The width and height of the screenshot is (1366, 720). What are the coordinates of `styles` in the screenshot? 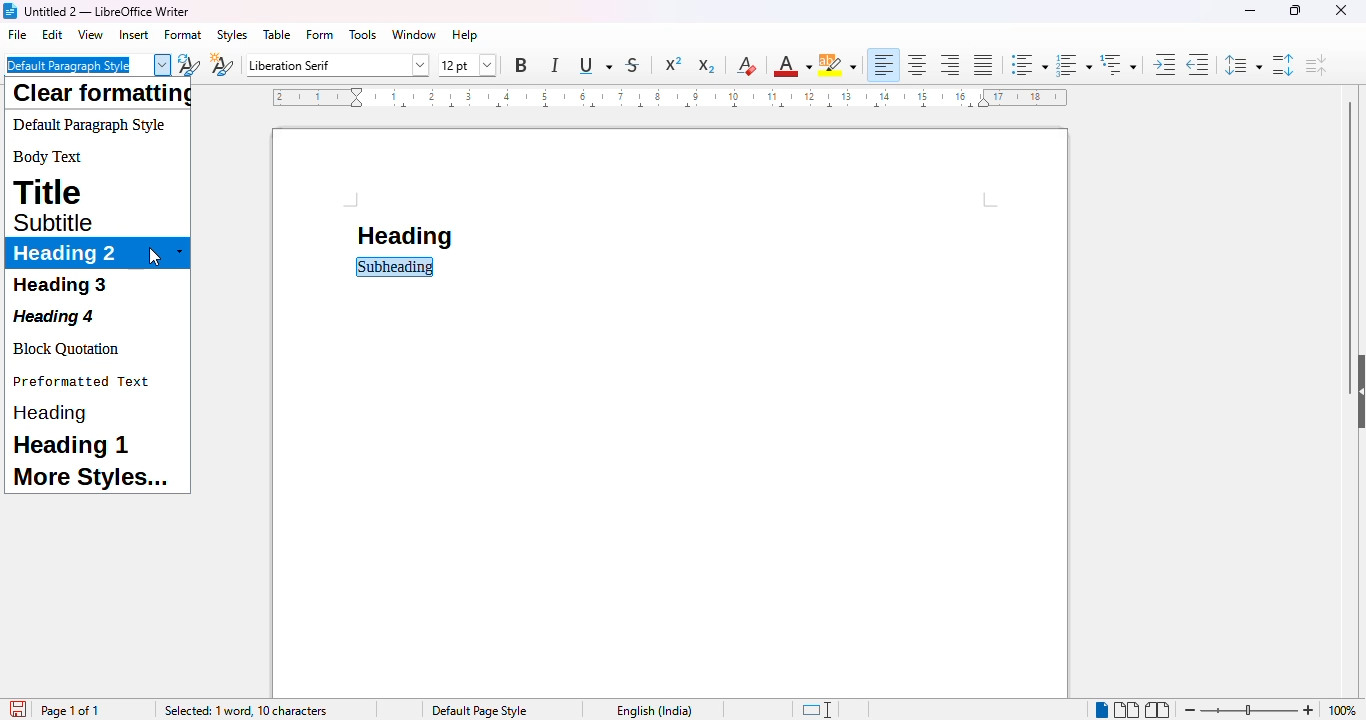 It's located at (231, 35).